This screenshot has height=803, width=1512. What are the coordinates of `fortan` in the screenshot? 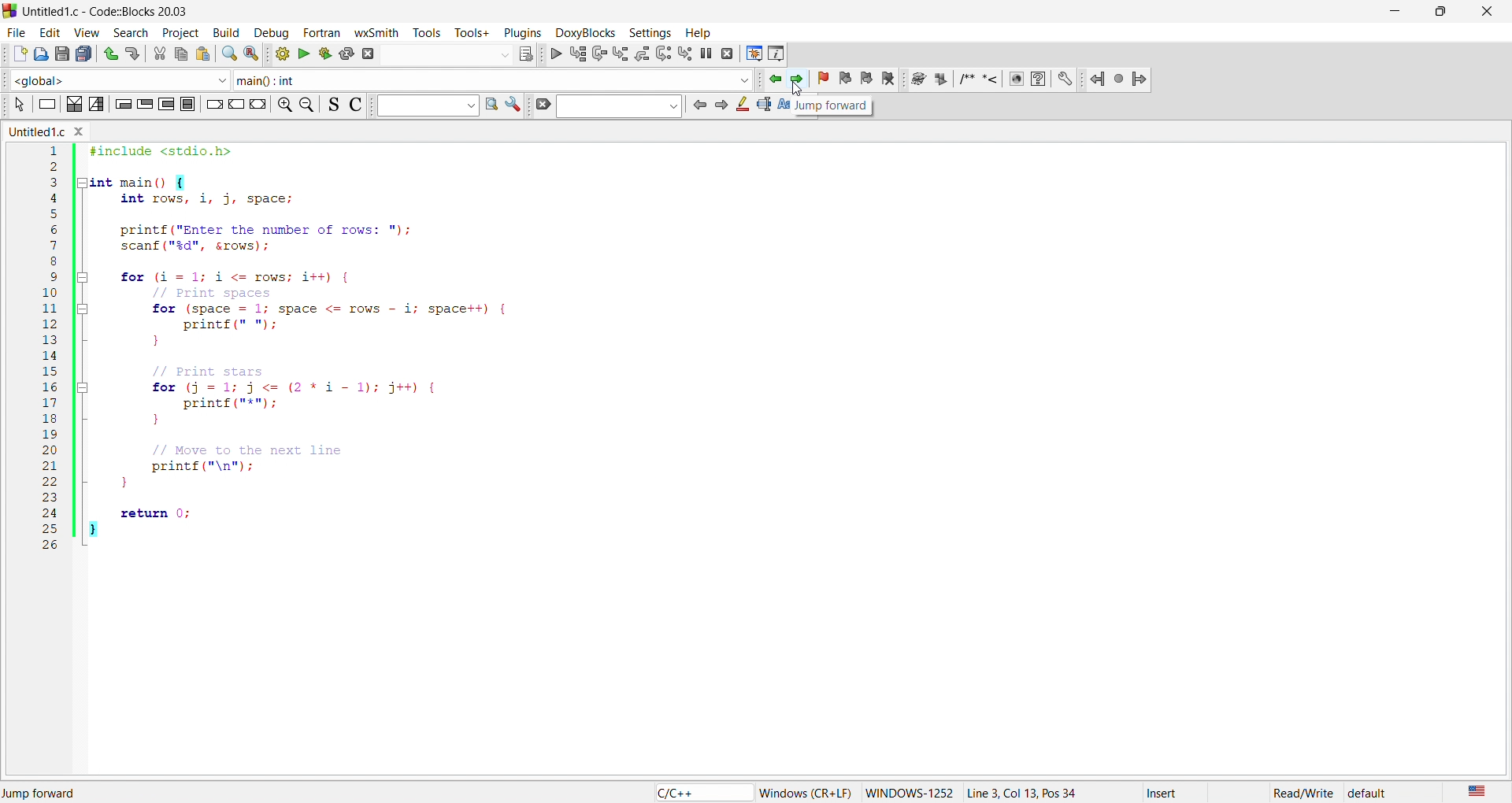 It's located at (320, 31).